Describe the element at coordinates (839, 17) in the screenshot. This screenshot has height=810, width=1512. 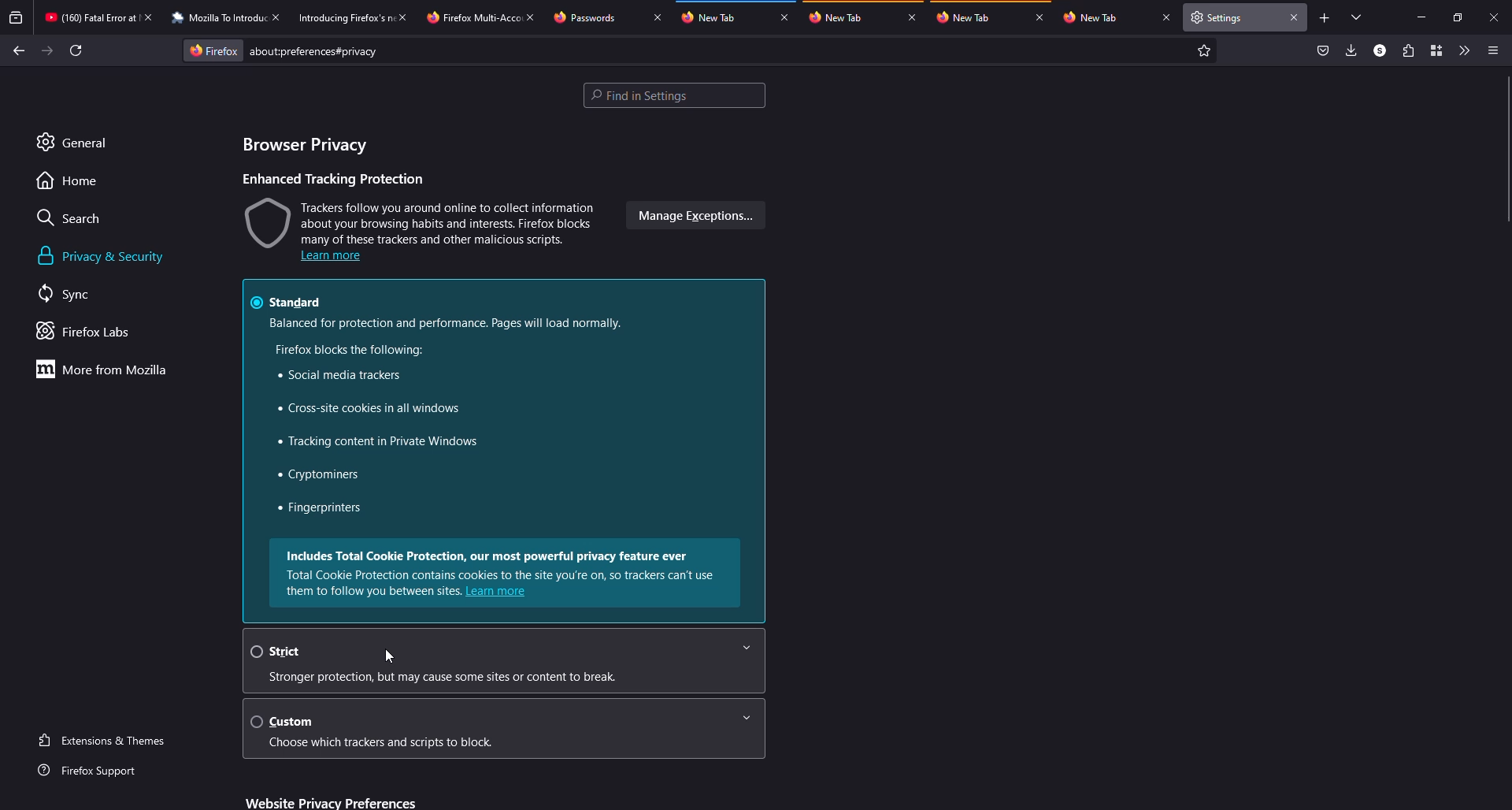
I see `tab` at that location.